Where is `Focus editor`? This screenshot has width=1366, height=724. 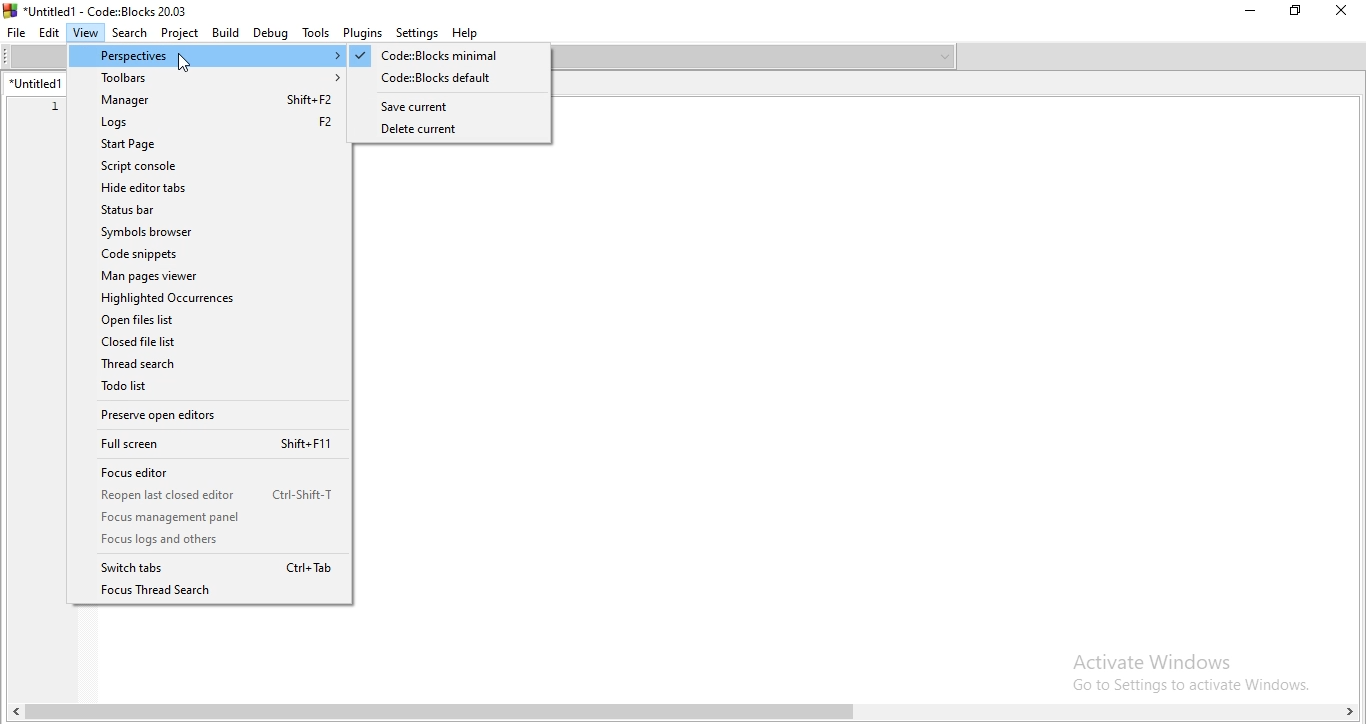 Focus editor is located at coordinates (213, 472).